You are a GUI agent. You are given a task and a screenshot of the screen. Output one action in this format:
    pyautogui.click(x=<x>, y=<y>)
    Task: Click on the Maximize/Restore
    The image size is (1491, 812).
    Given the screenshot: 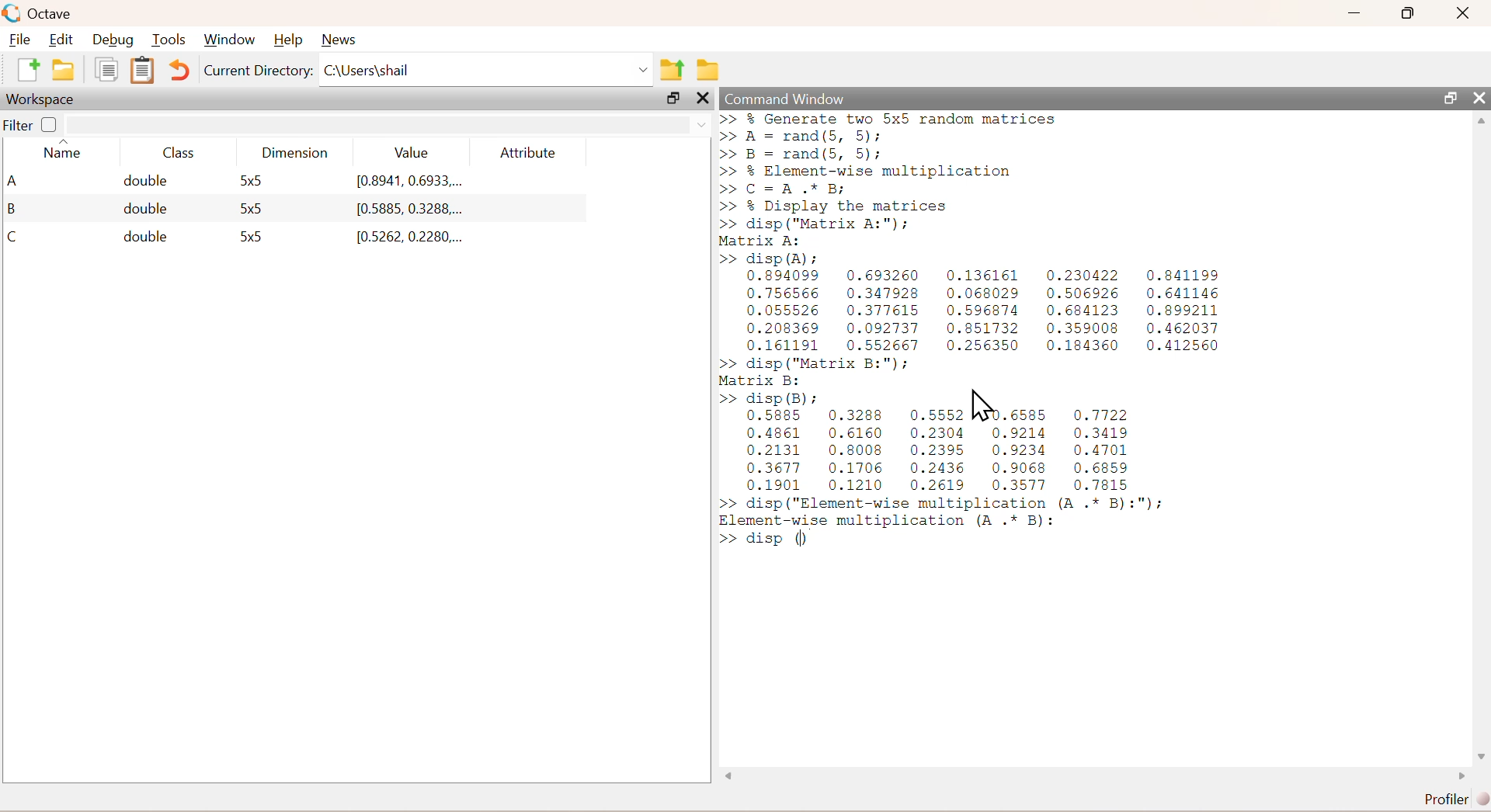 What is the action you would take?
    pyautogui.click(x=672, y=99)
    